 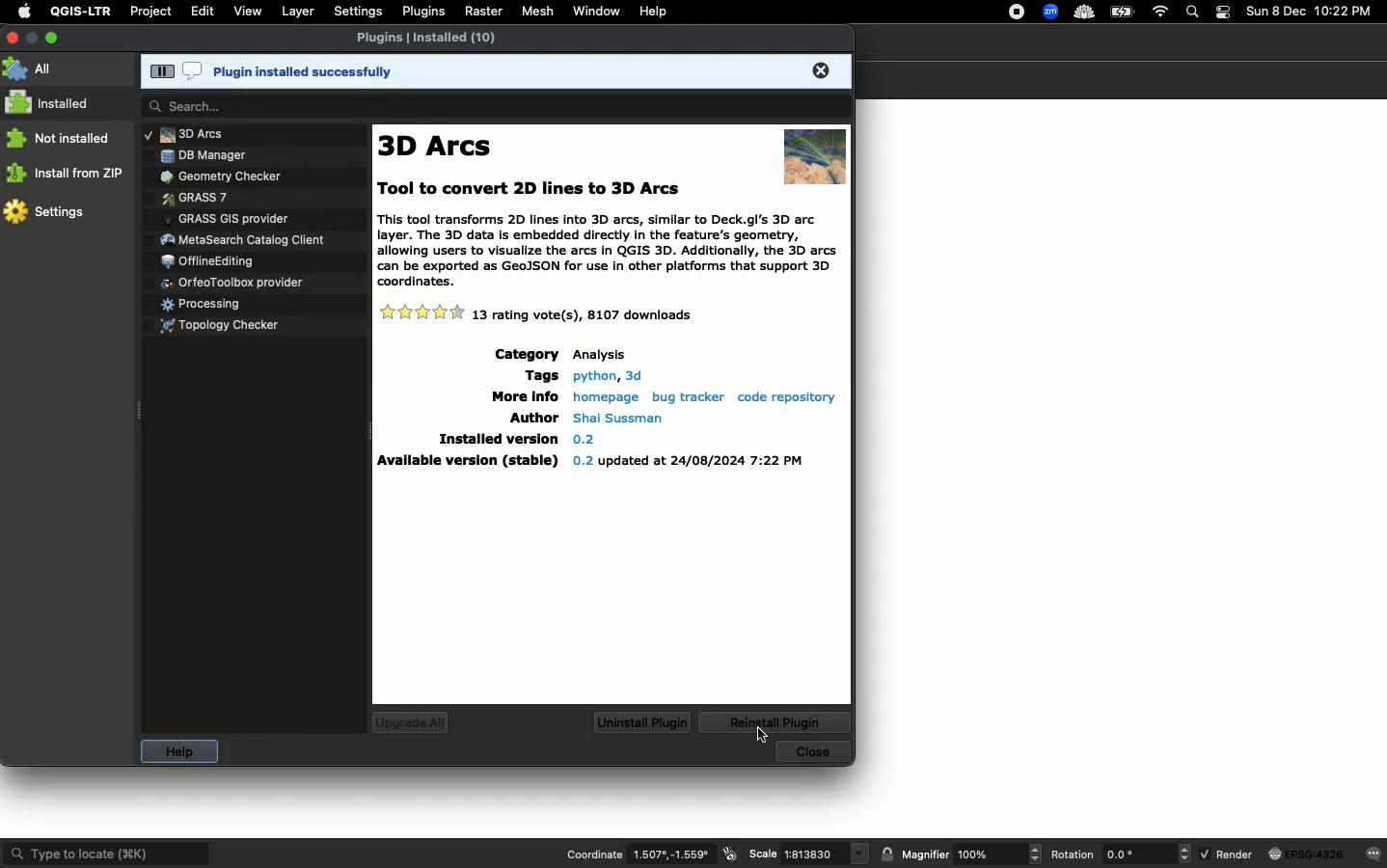 I want to click on Plugins, so click(x=256, y=153).